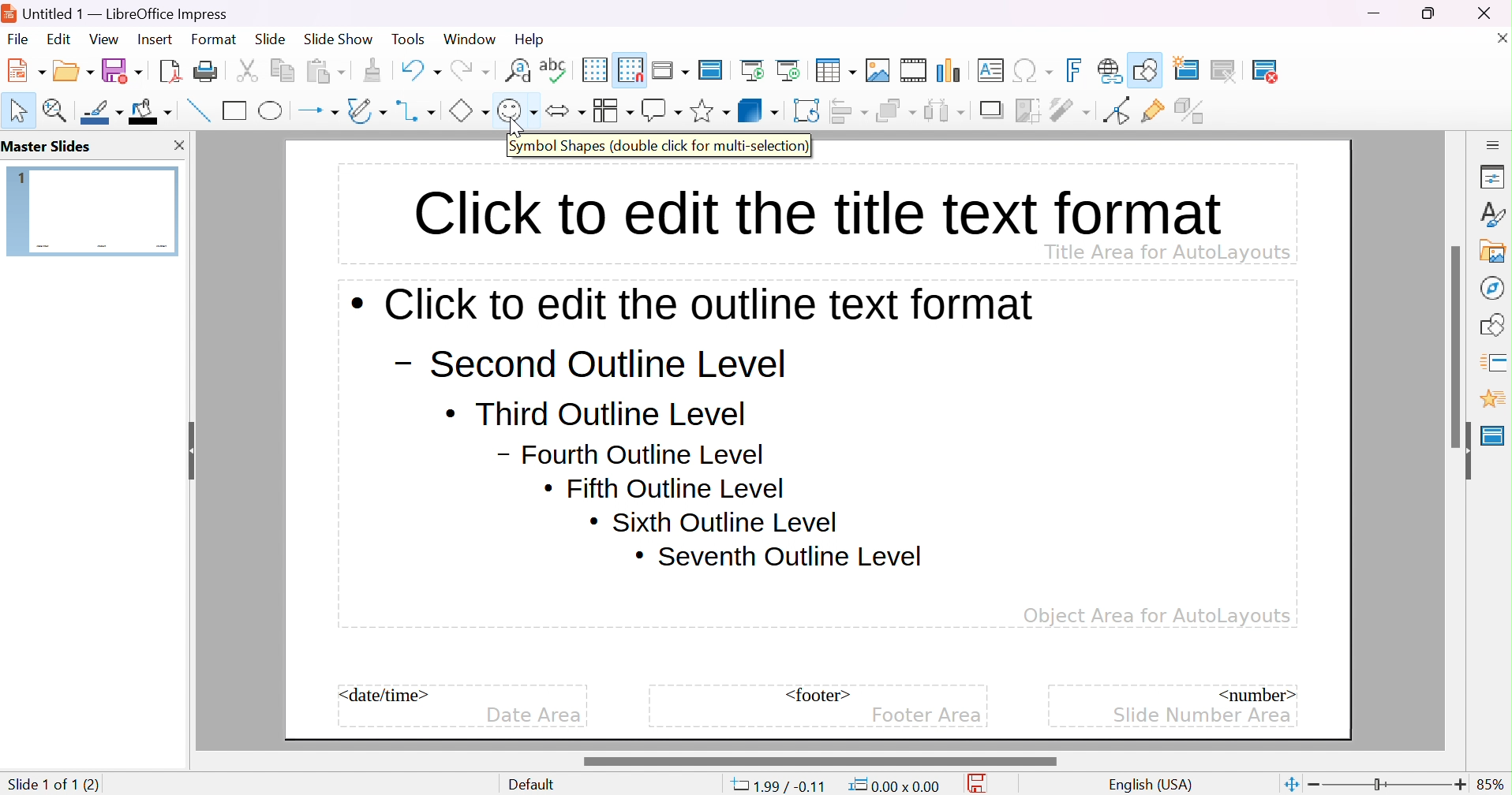 Image resolution: width=1512 pixels, height=795 pixels. I want to click on print, so click(205, 70).